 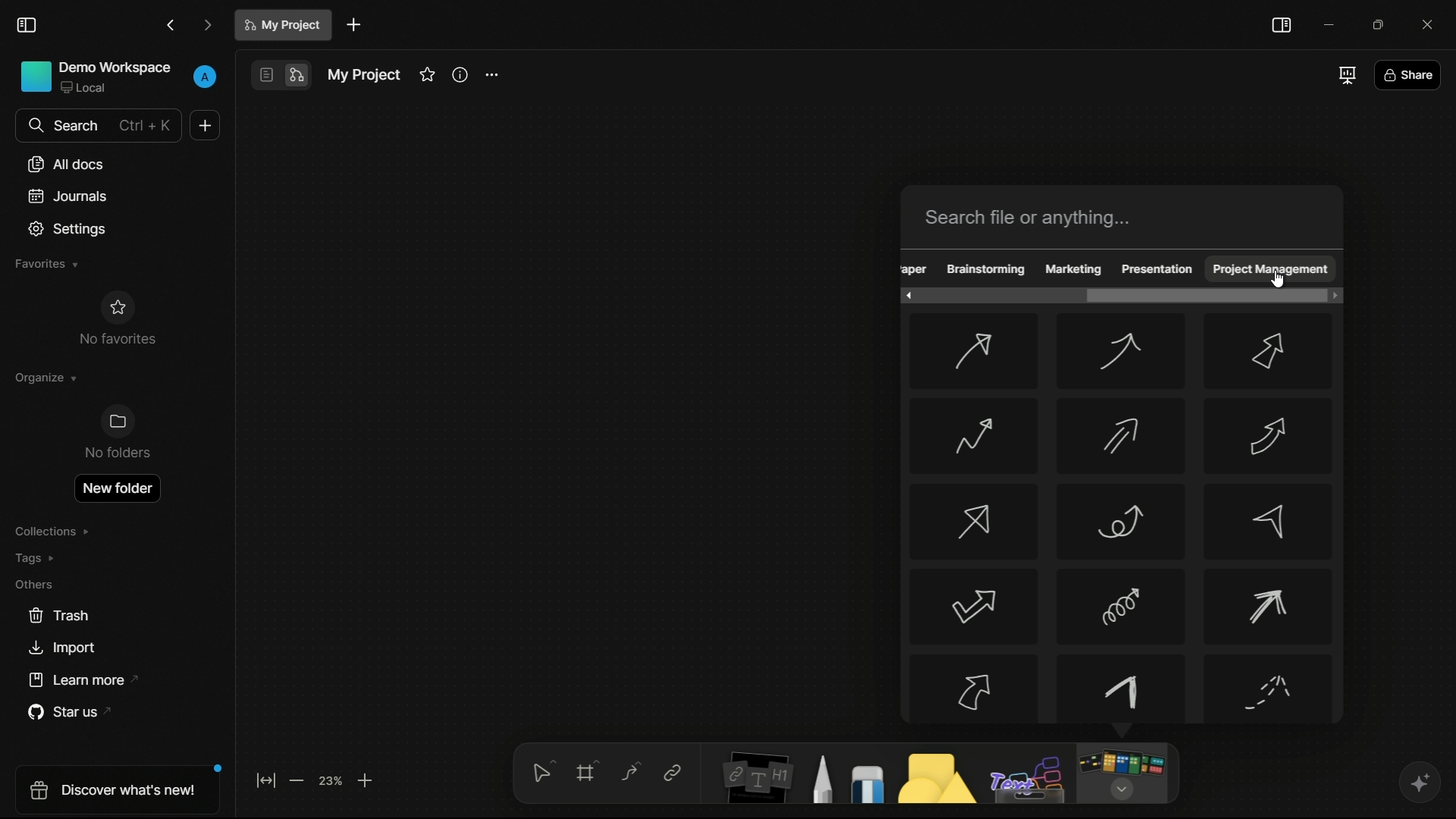 What do you see at coordinates (972, 607) in the screenshot?
I see `arrow-10` at bounding box center [972, 607].